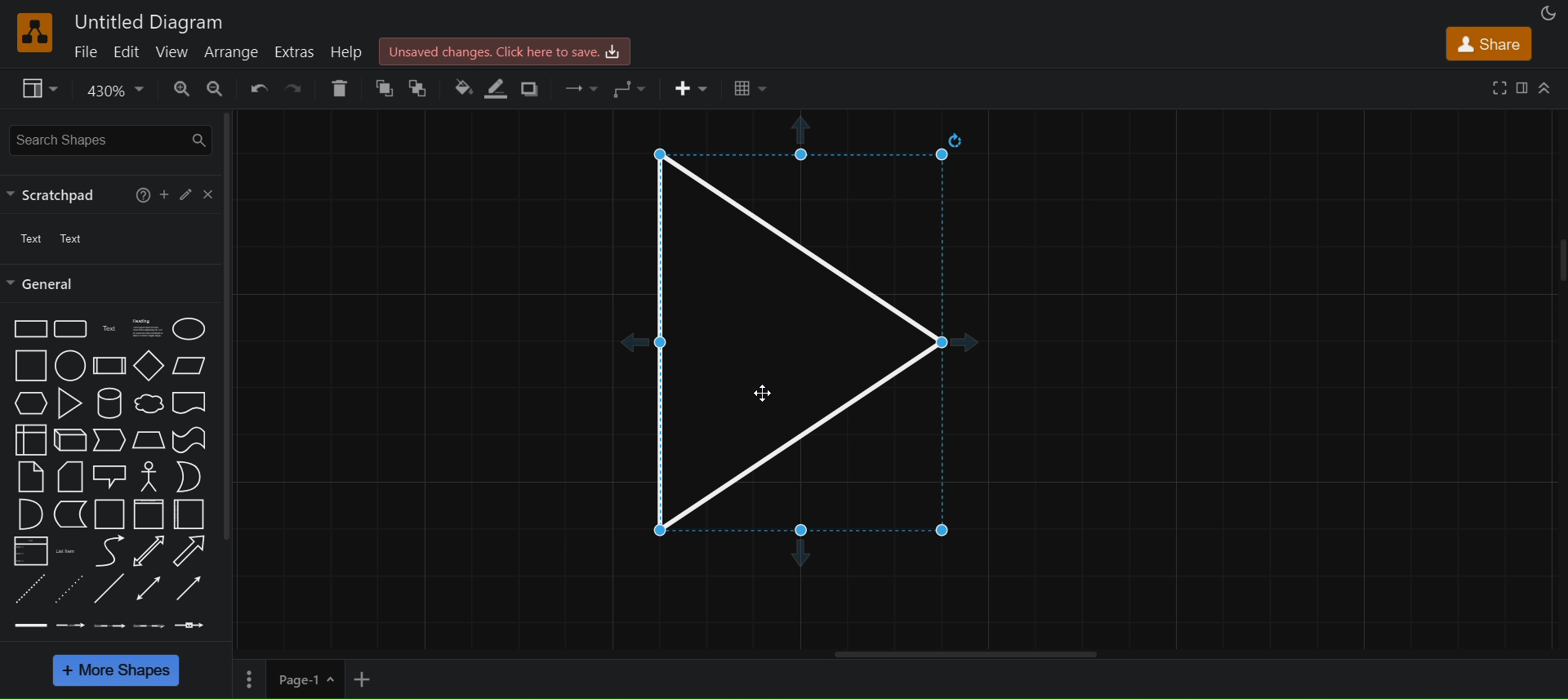 The image size is (1568, 699). What do you see at coordinates (294, 88) in the screenshot?
I see `redo` at bounding box center [294, 88].